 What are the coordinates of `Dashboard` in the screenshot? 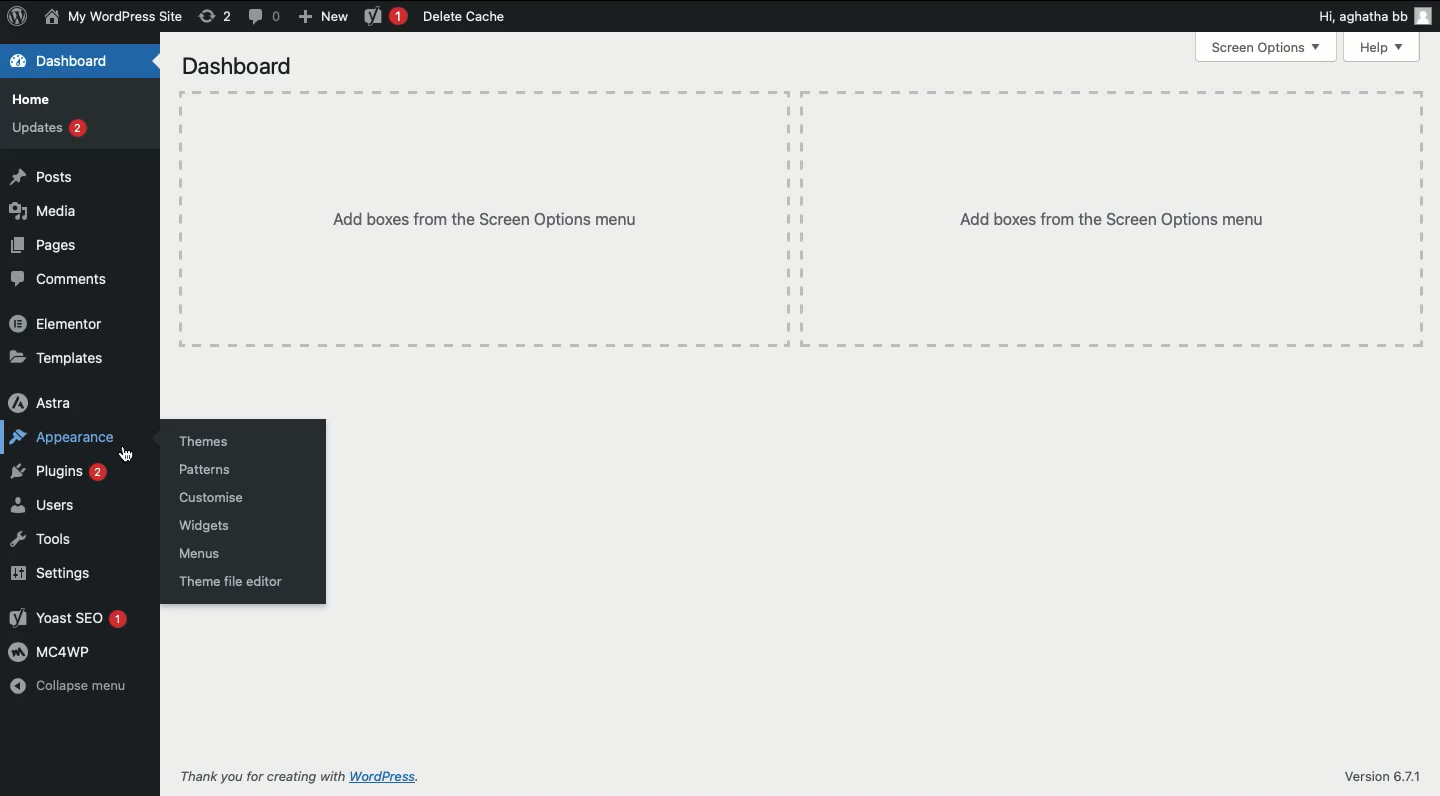 It's located at (69, 61).